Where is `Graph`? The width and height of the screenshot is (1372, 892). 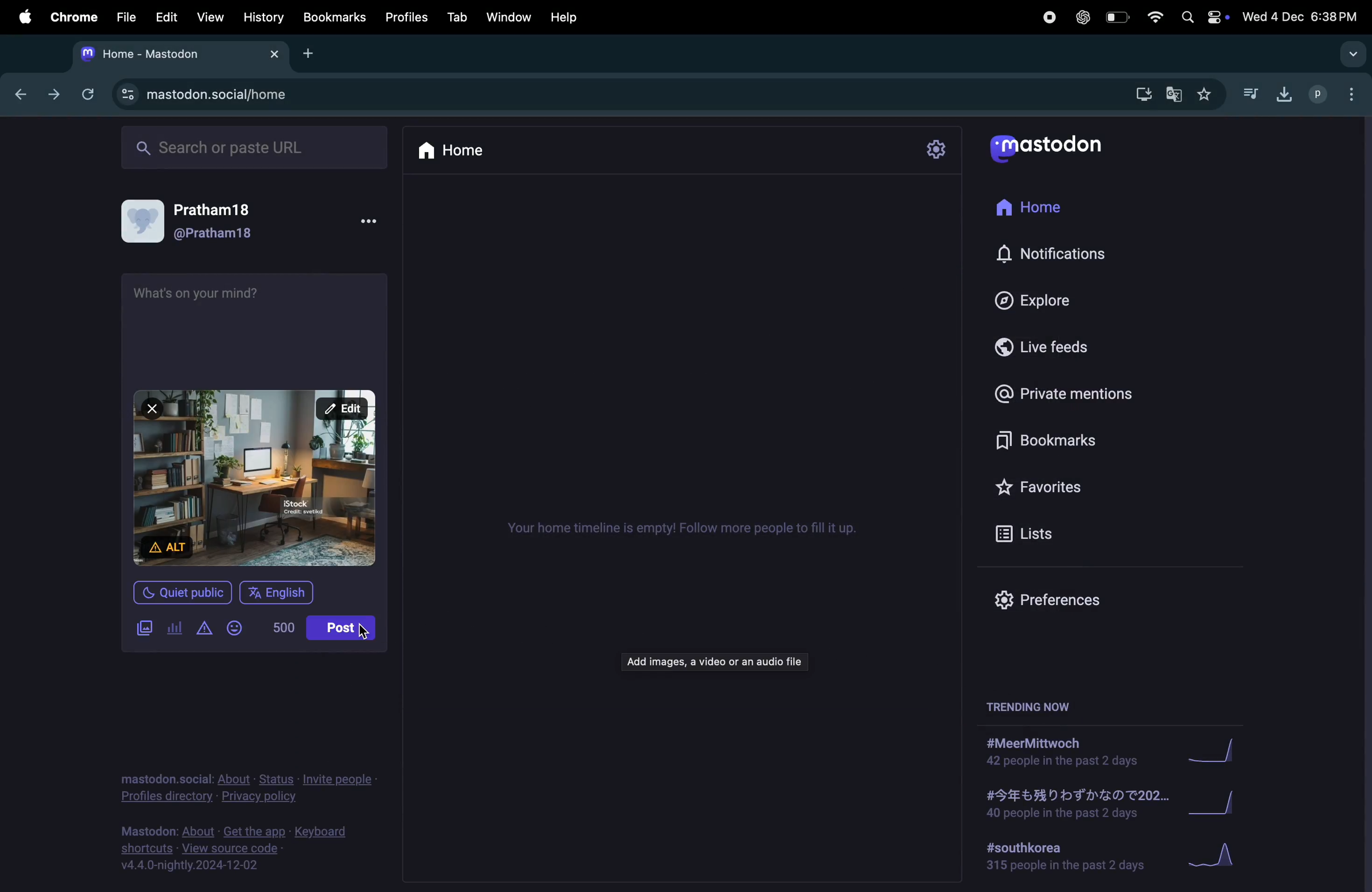
Graph is located at coordinates (1218, 857).